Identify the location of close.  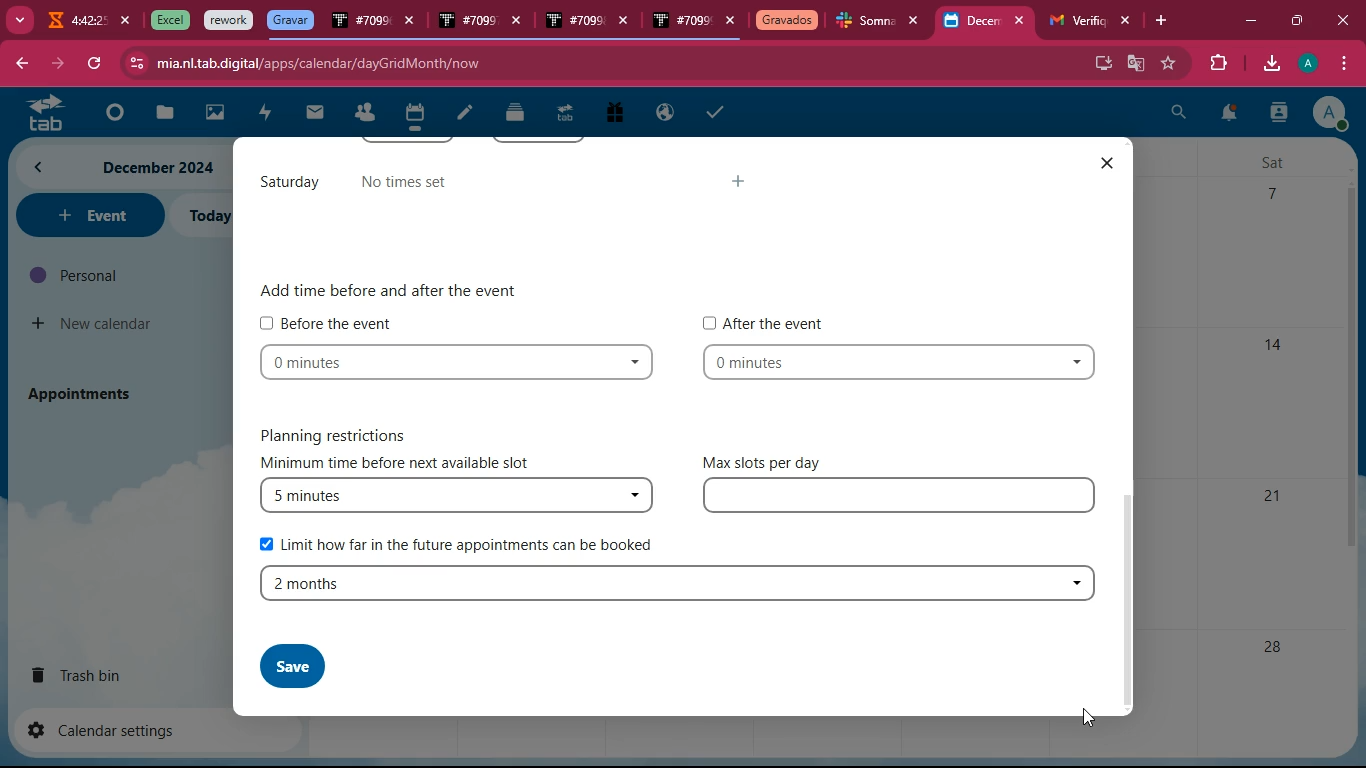
(919, 21).